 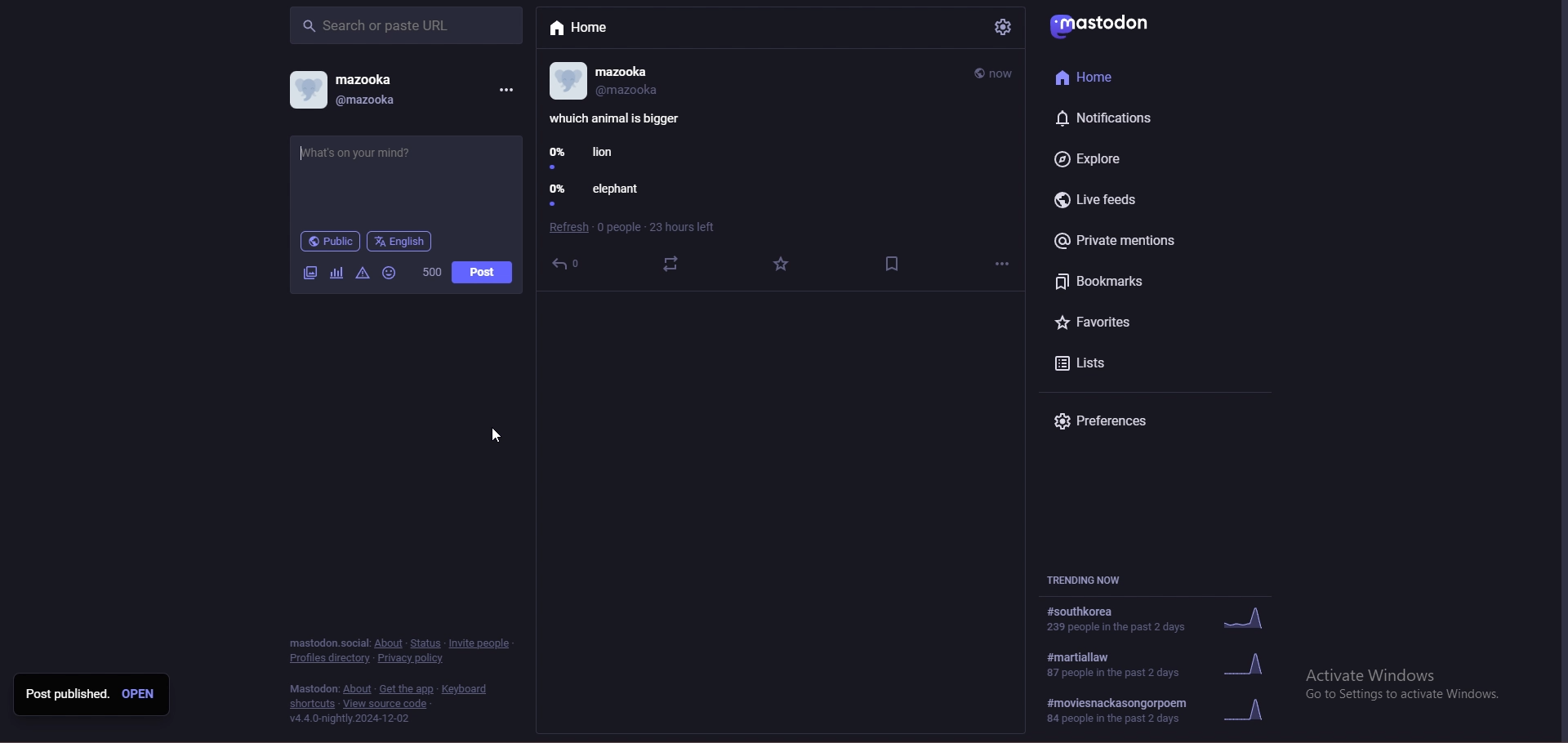 What do you see at coordinates (675, 264) in the screenshot?
I see `boost` at bounding box center [675, 264].